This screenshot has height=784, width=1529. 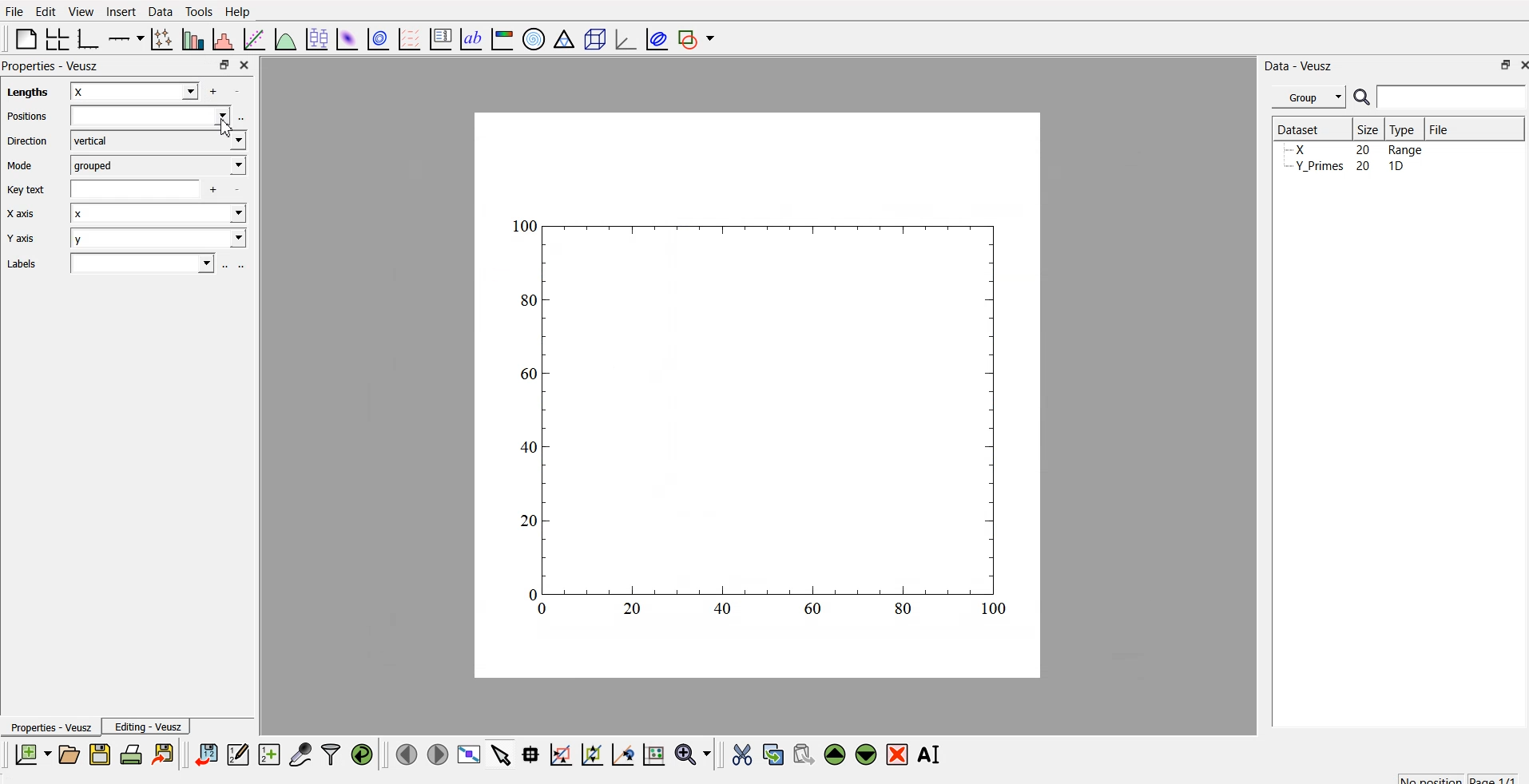 I want to click on Type, so click(x=1406, y=129).